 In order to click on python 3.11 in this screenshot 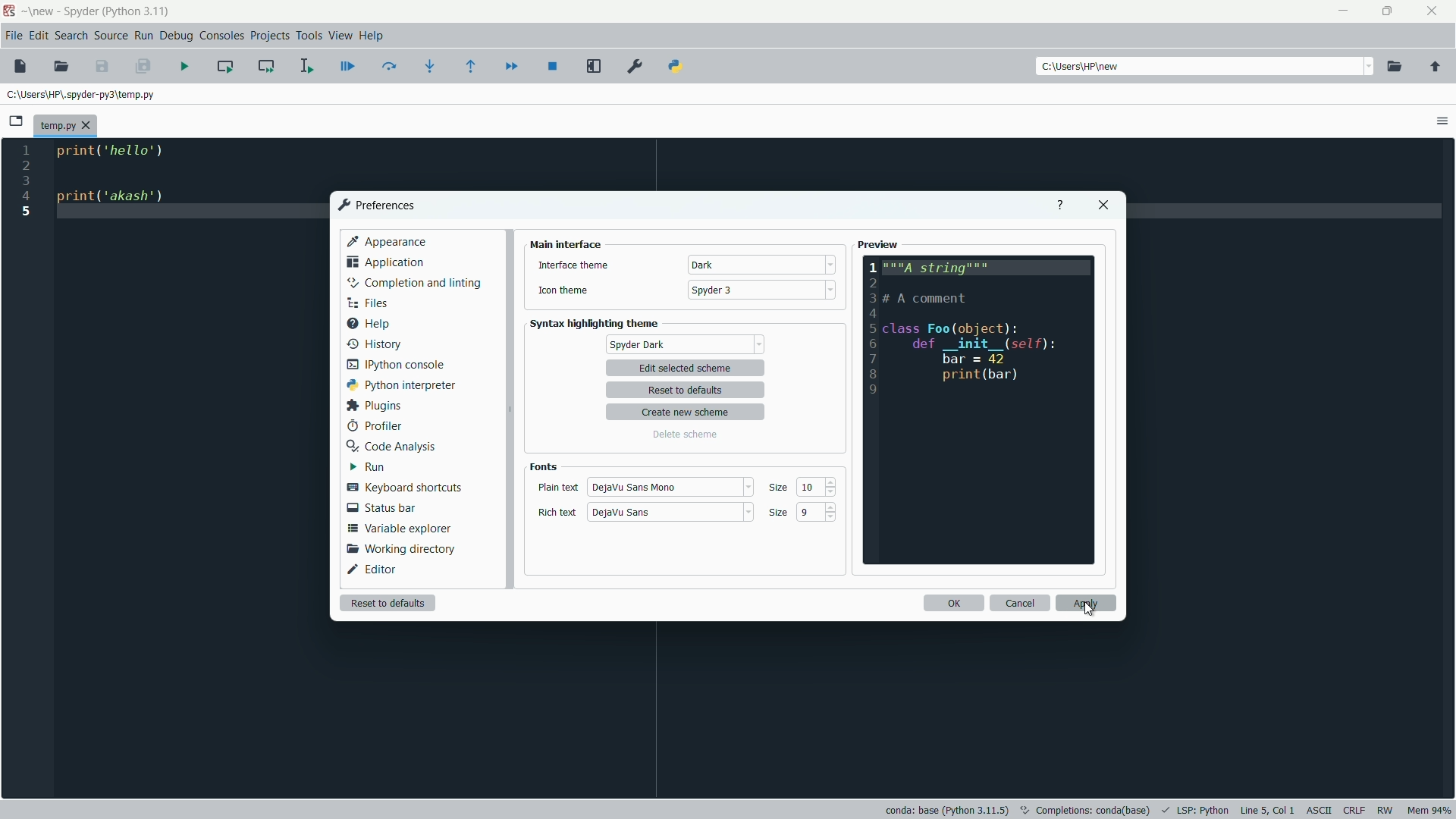, I will do `click(137, 11)`.